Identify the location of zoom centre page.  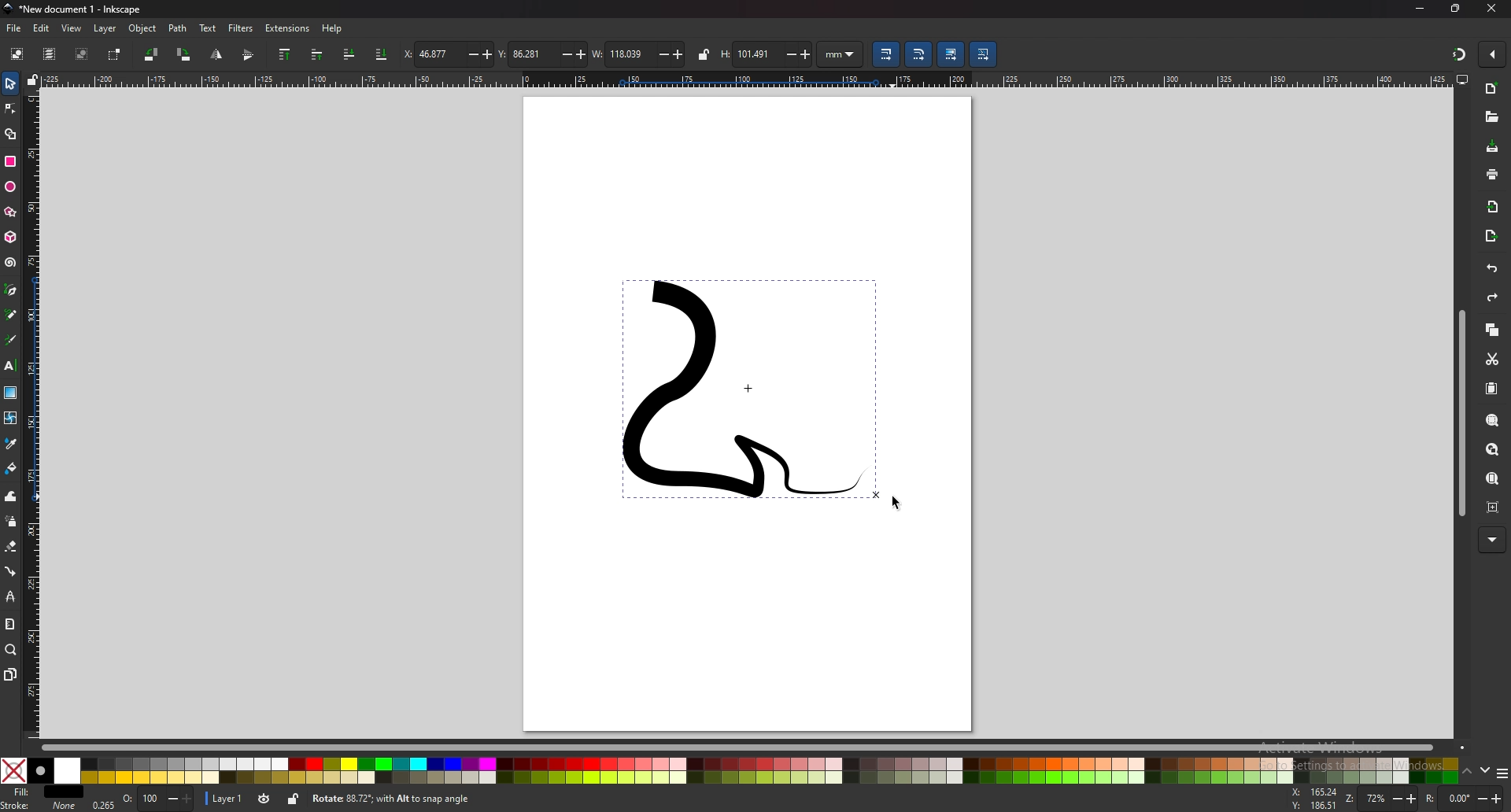
(1493, 507).